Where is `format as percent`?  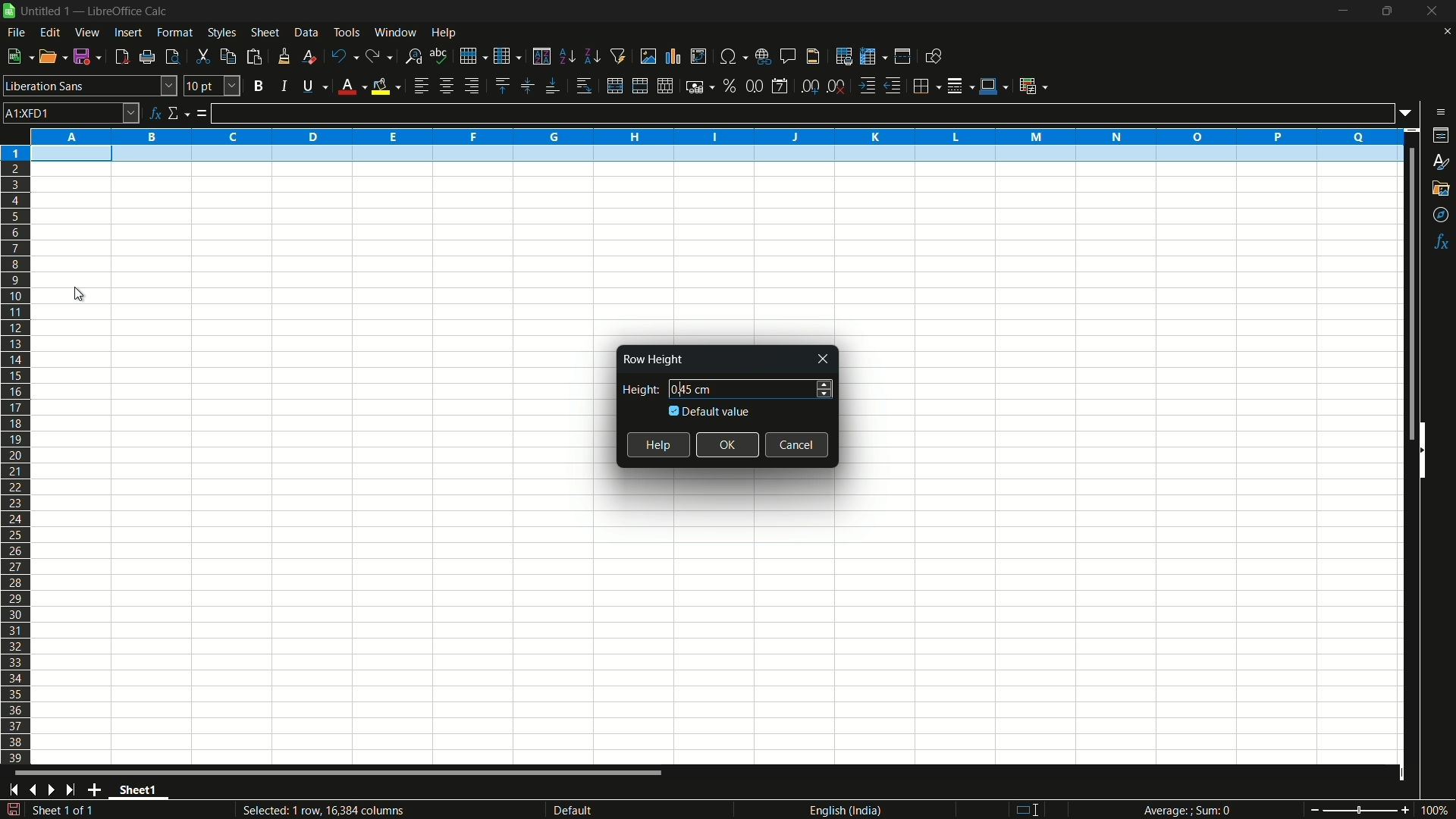
format as percent is located at coordinates (730, 85).